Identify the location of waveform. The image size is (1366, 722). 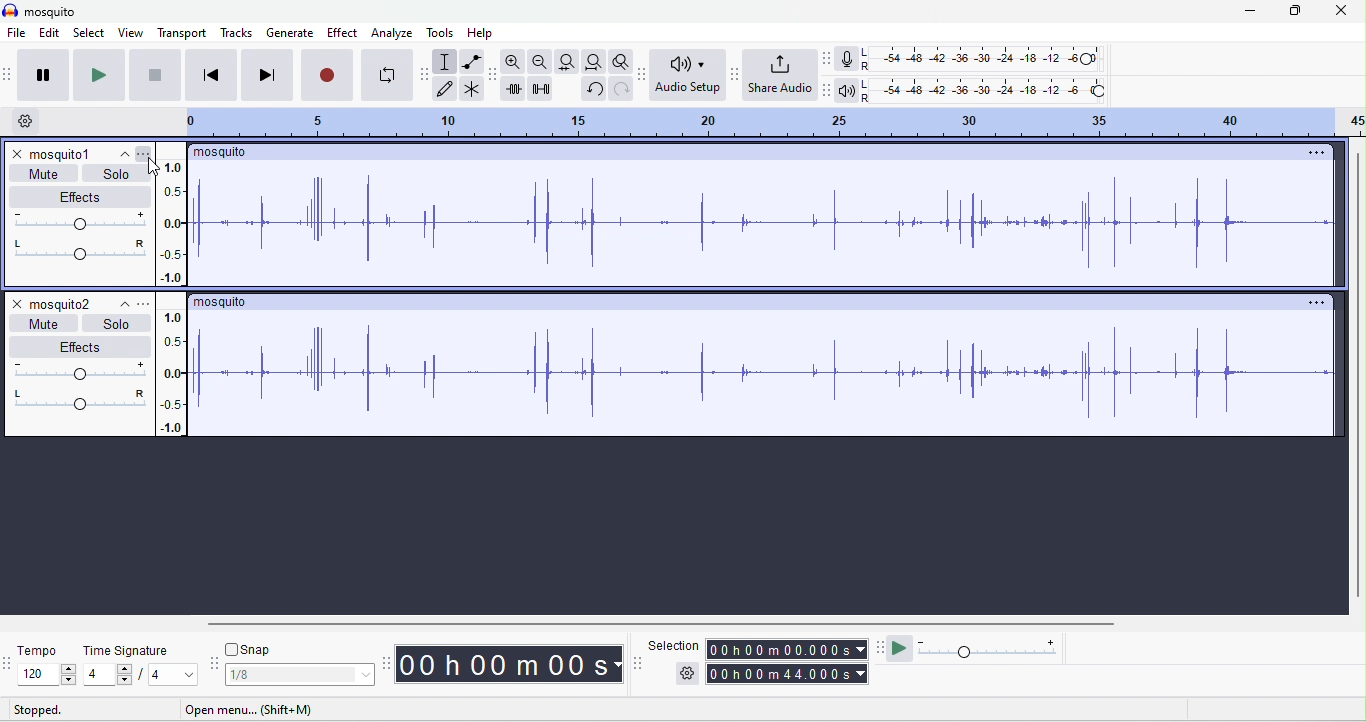
(765, 376).